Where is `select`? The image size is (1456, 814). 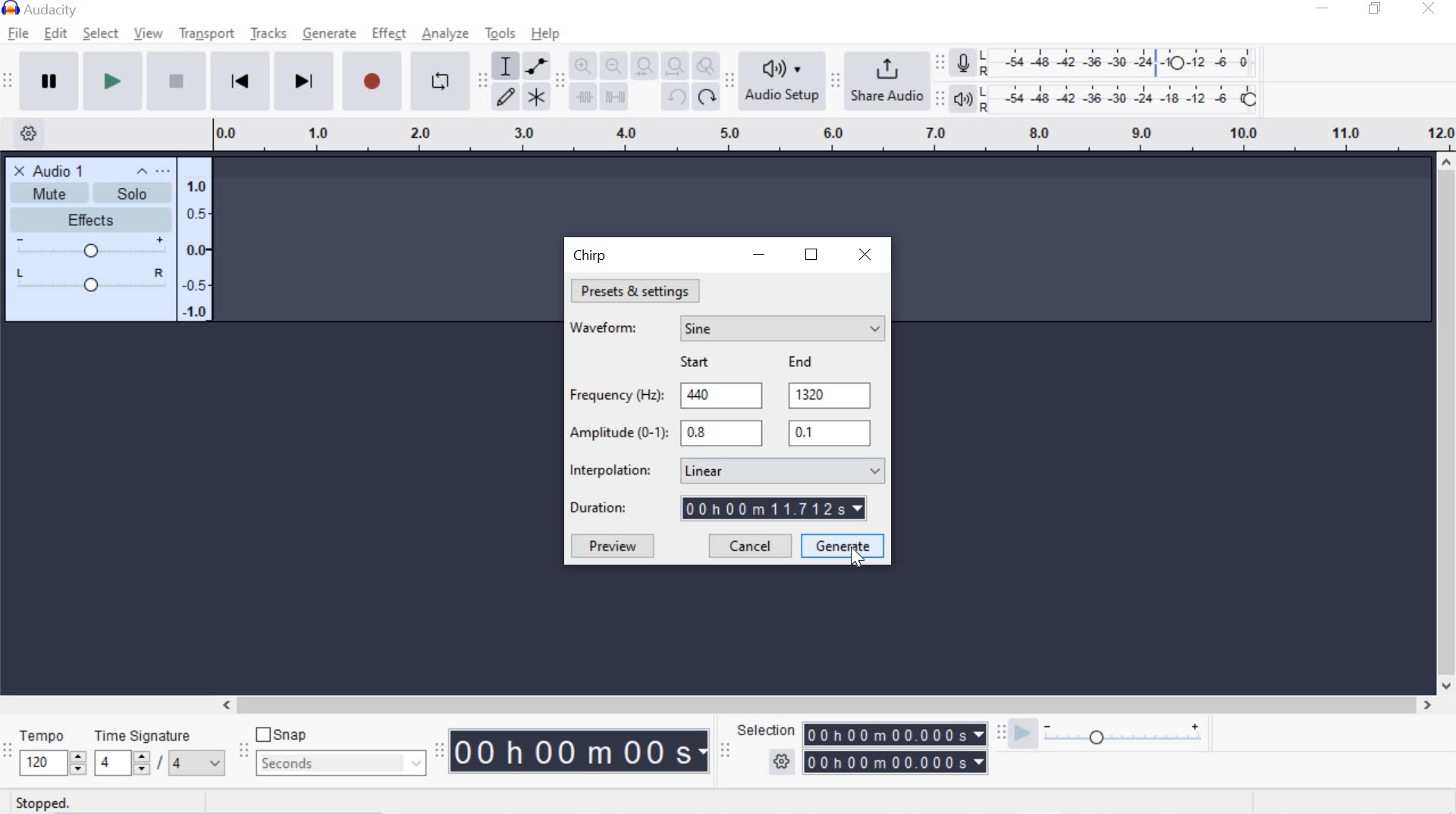 select is located at coordinates (101, 34).